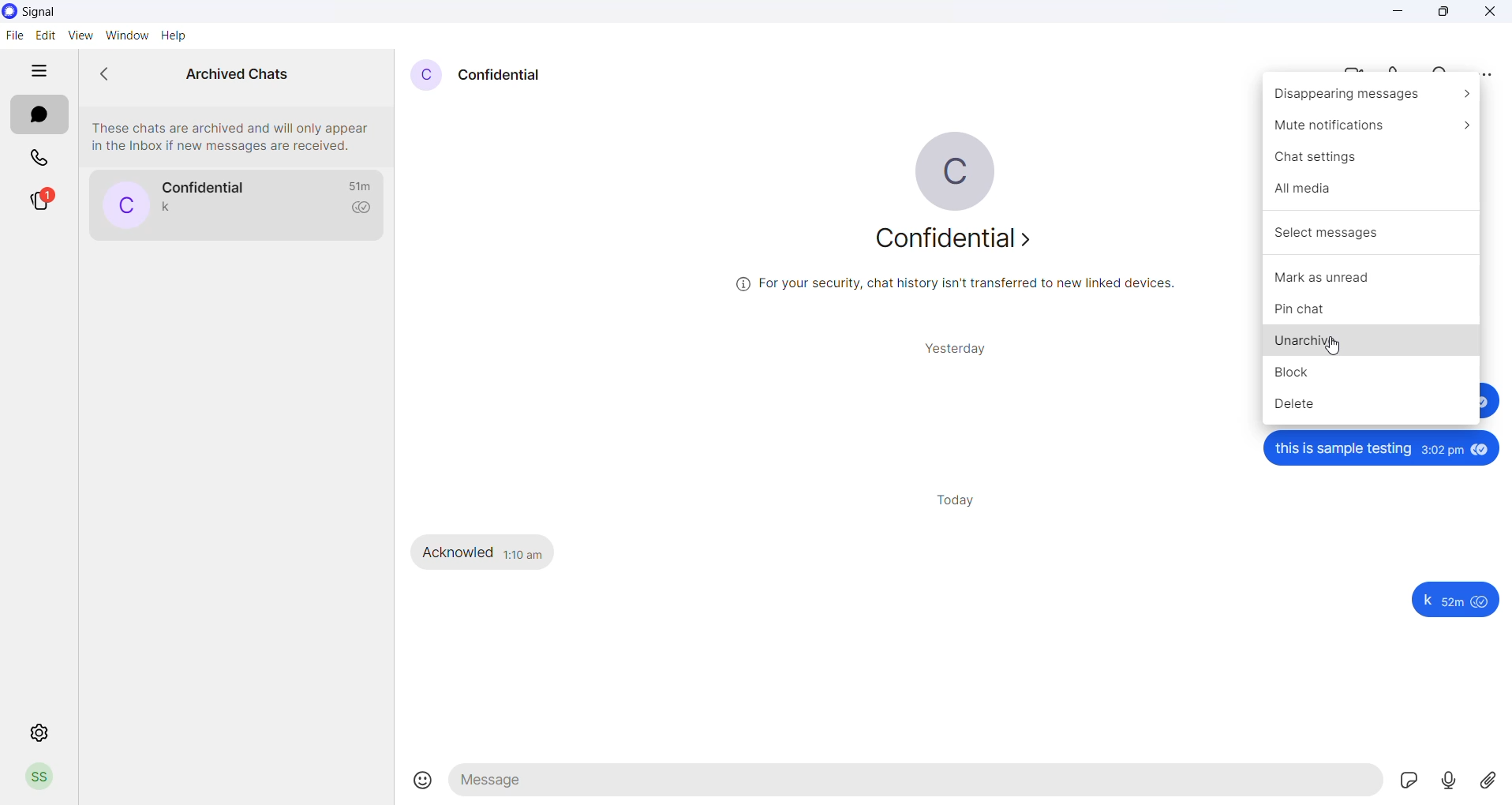 The image size is (1512, 805). I want to click on sticker, so click(1405, 780).